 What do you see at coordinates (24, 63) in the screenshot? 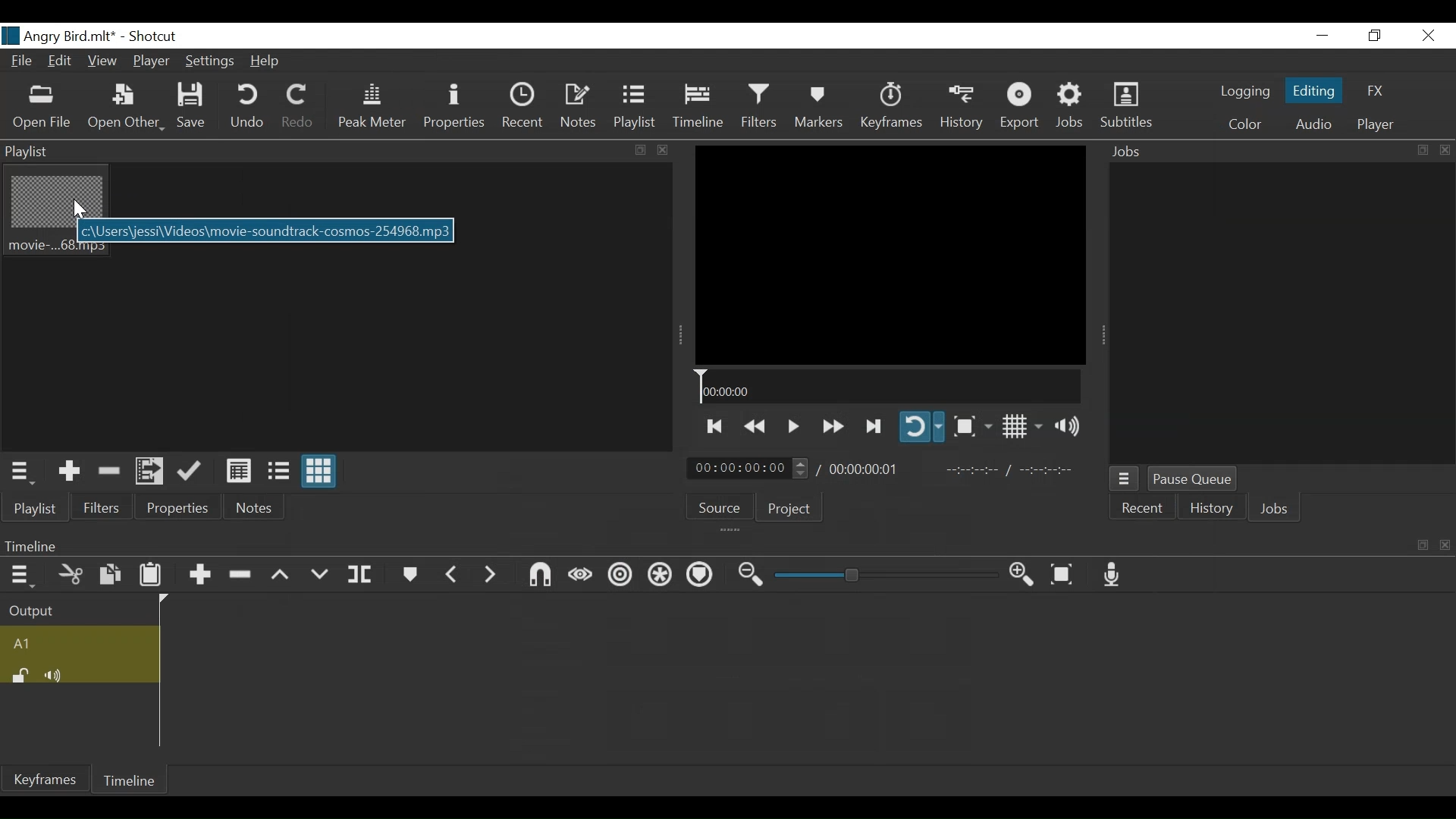
I see `File` at bounding box center [24, 63].